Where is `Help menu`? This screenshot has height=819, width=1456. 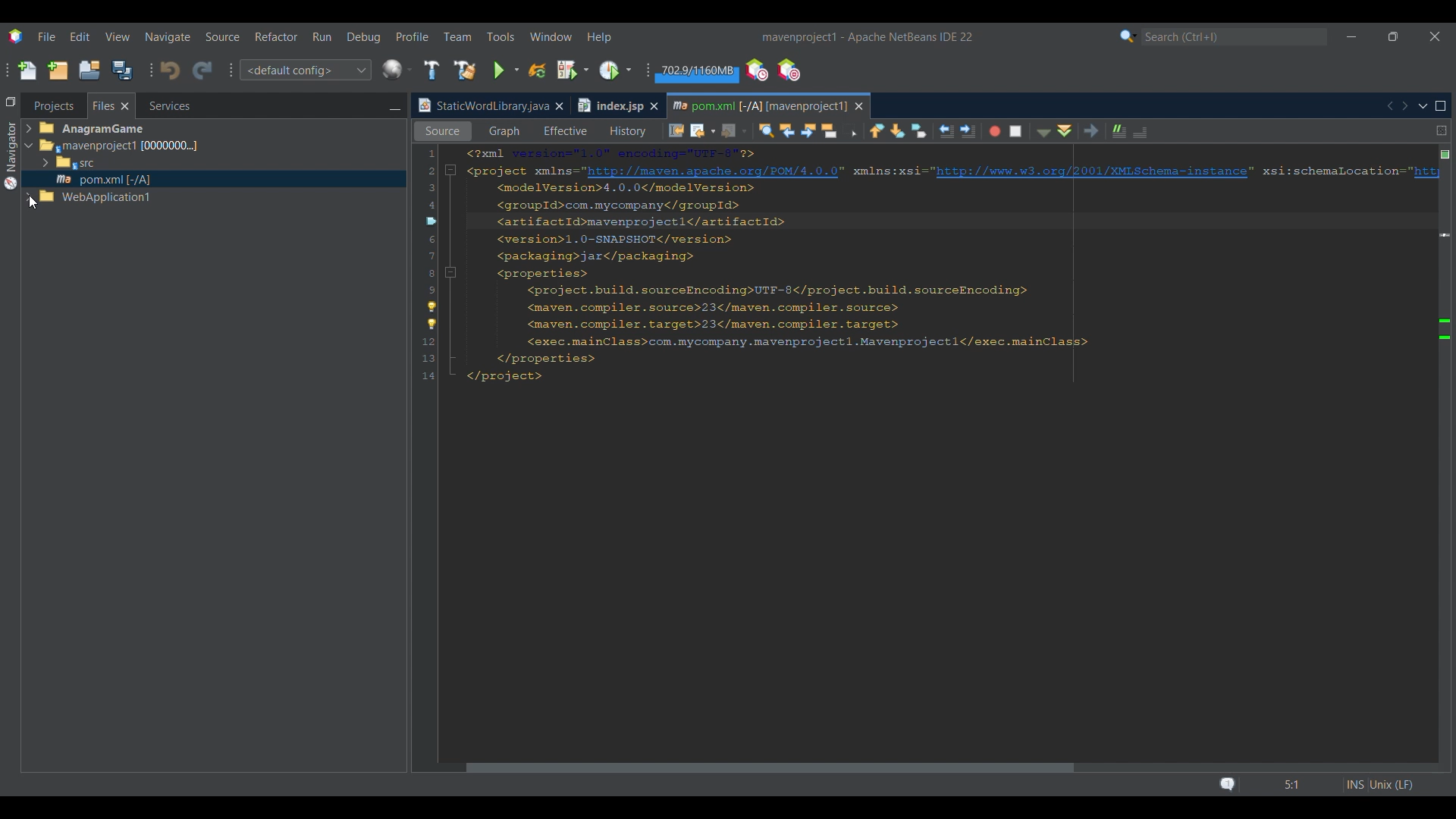 Help menu is located at coordinates (598, 38).